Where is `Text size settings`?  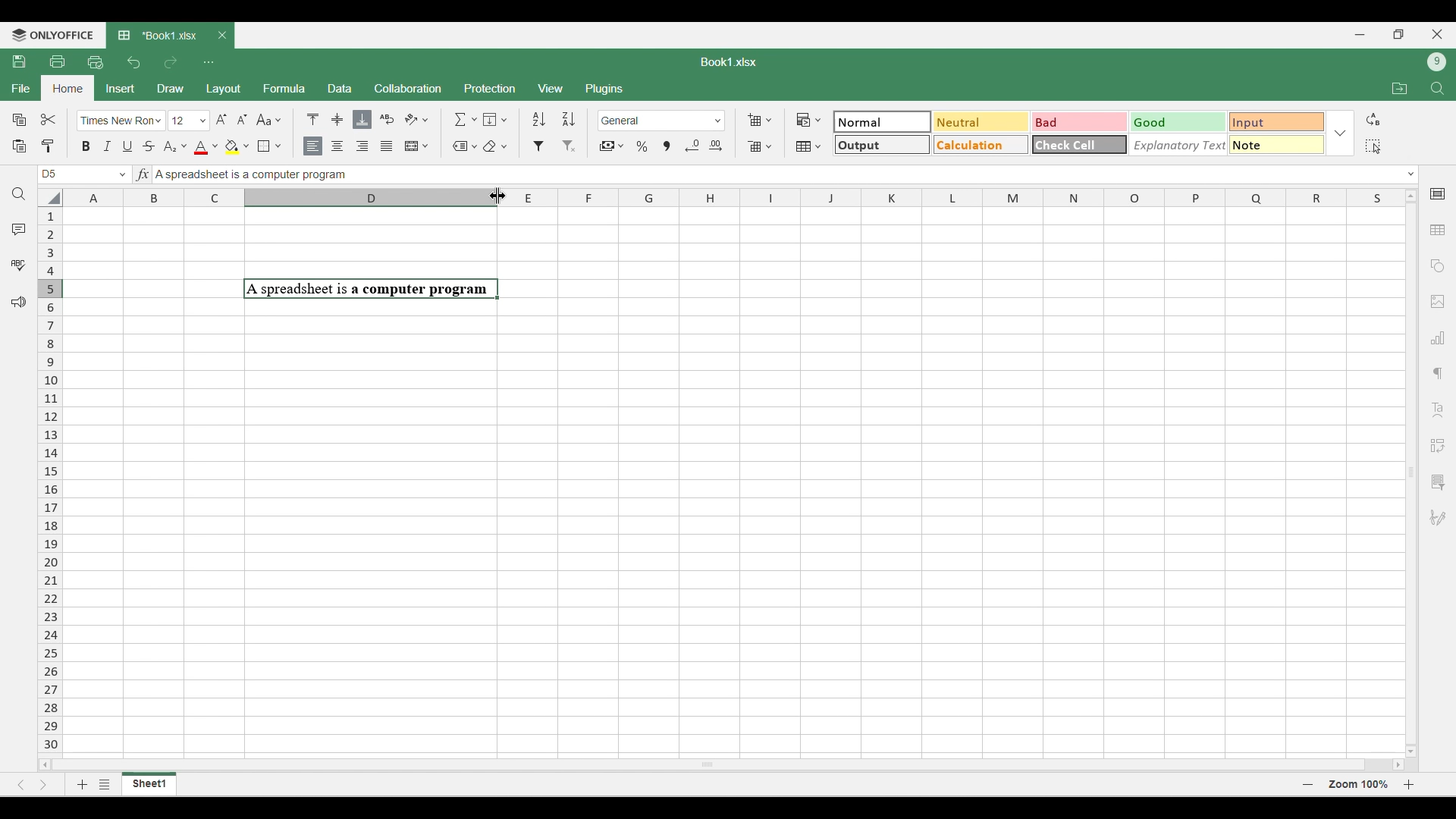
Text size settings is located at coordinates (210, 120).